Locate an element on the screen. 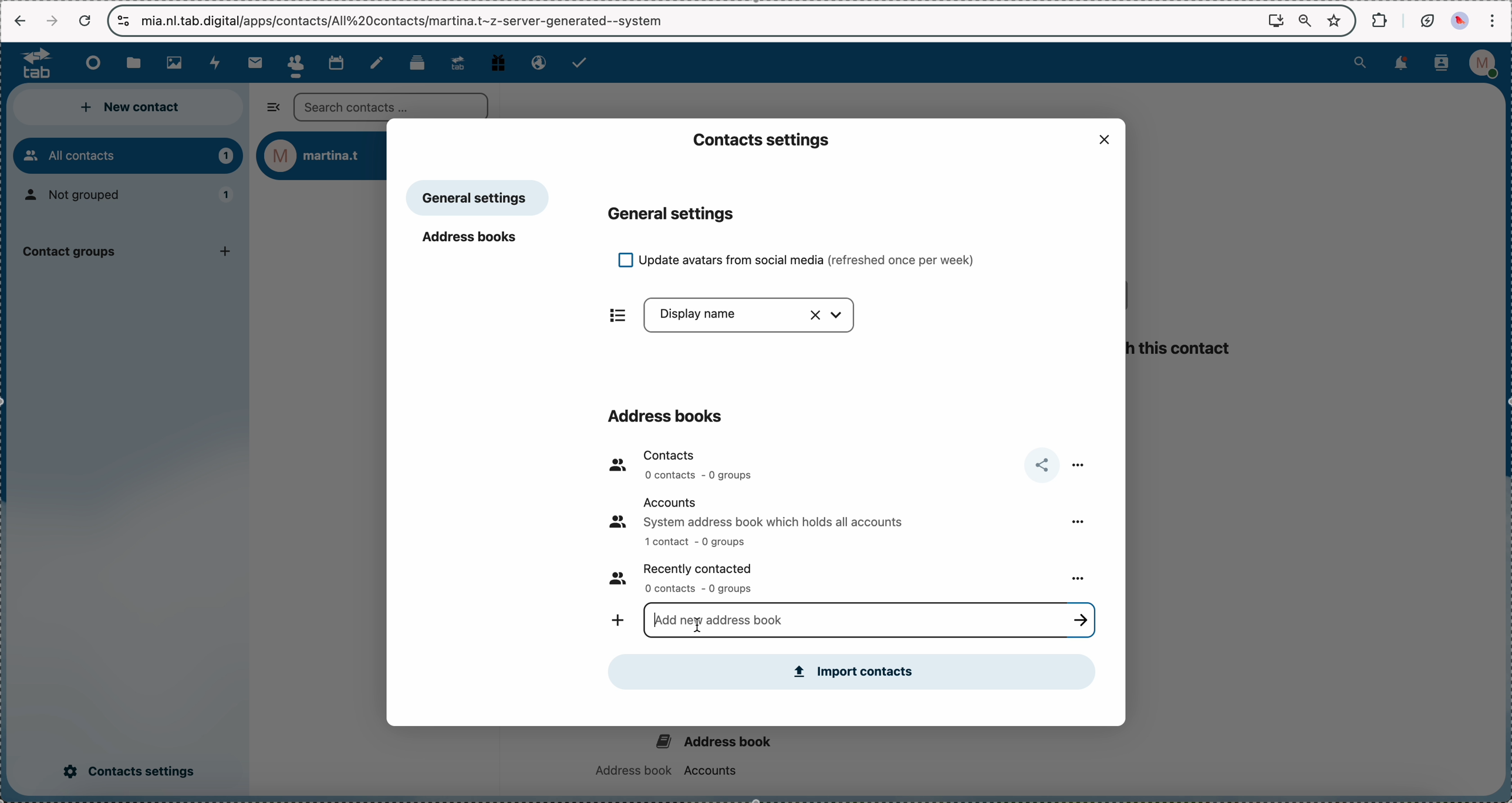 The image size is (1512, 803). navigate back is located at coordinates (18, 19).